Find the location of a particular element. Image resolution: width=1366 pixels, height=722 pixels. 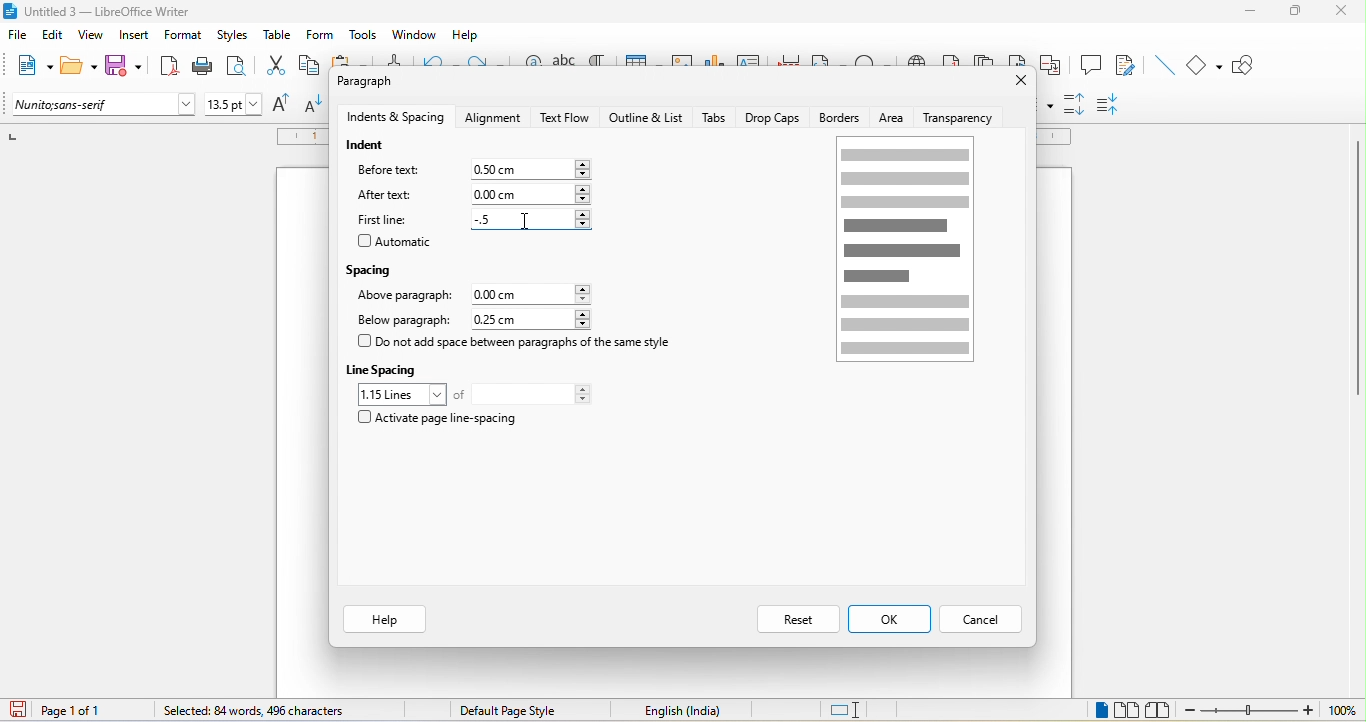

0.00 cm is located at coordinates (518, 168).